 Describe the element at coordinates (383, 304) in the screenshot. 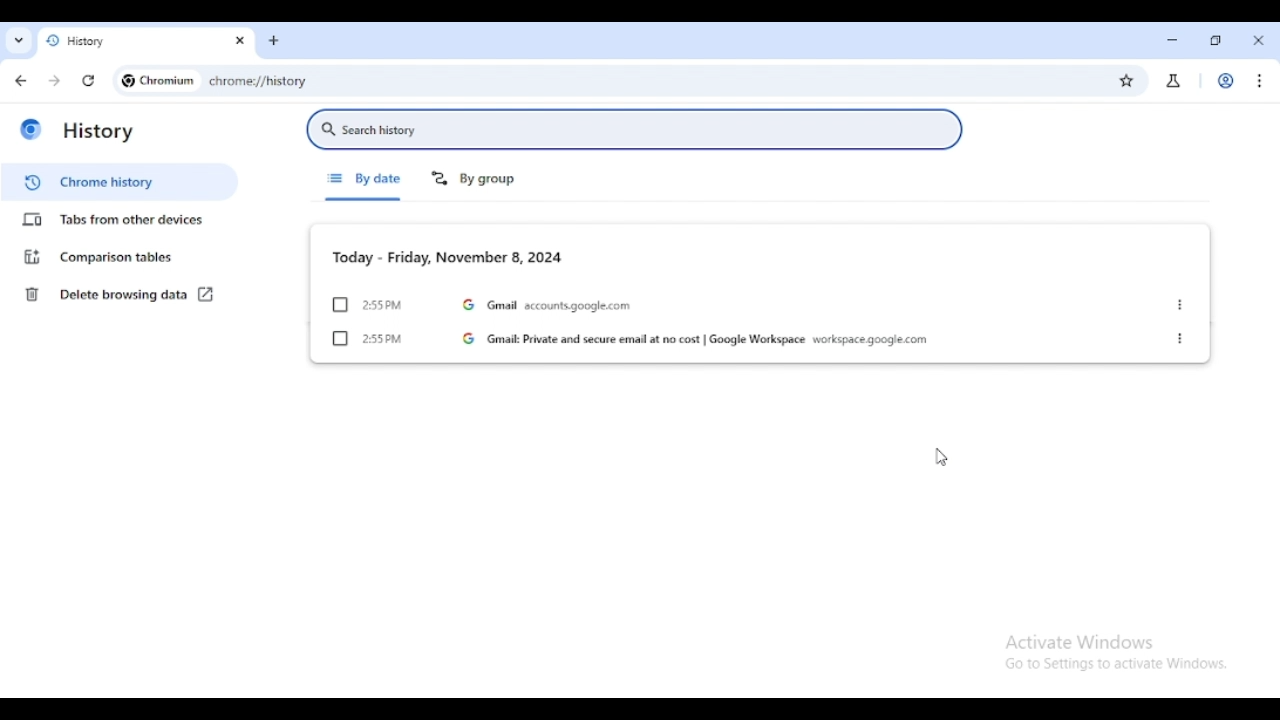

I see `2:55 PM` at that location.